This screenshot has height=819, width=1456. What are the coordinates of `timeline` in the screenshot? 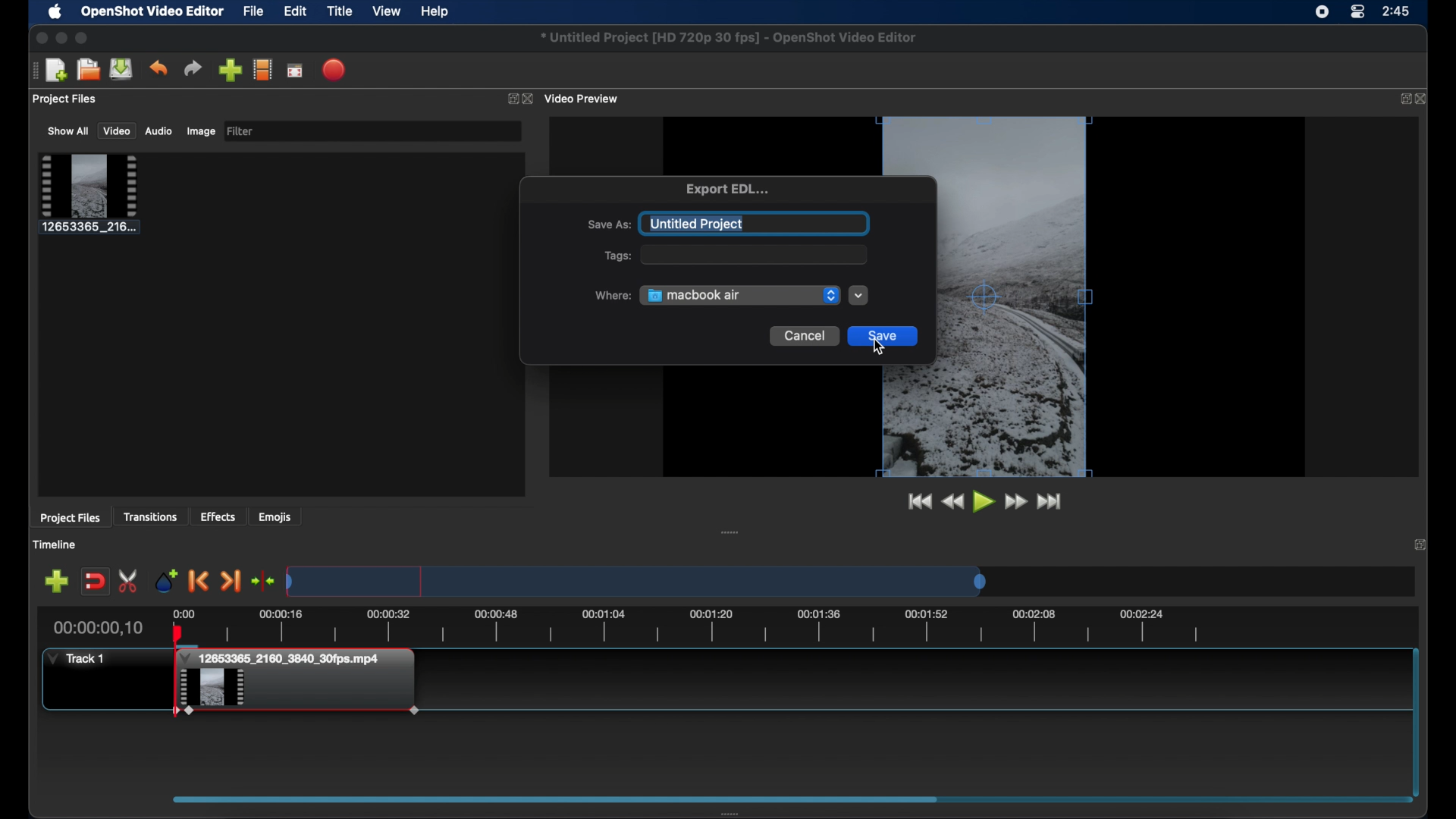 It's located at (689, 626).